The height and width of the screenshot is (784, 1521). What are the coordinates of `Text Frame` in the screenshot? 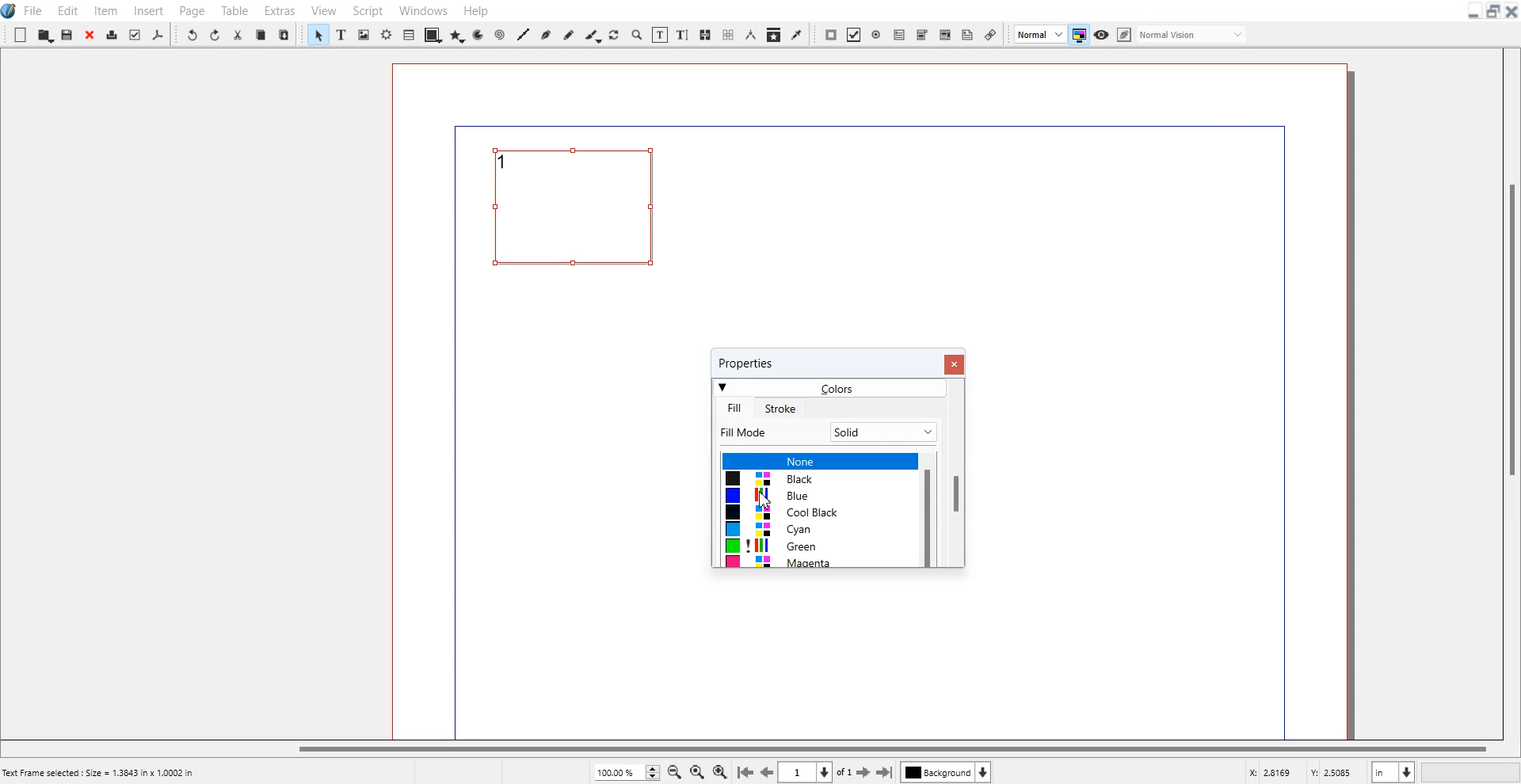 It's located at (341, 35).